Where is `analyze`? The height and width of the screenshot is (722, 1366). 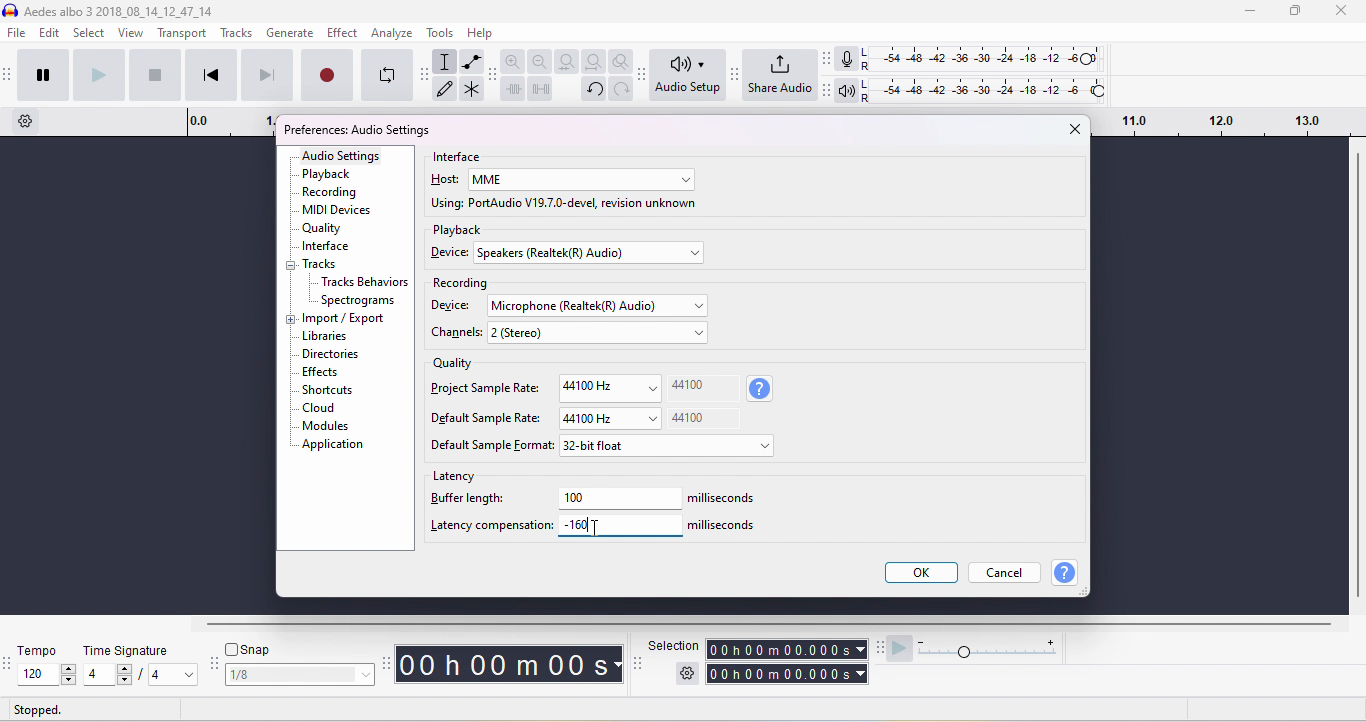
analyze is located at coordinates (392, 32).